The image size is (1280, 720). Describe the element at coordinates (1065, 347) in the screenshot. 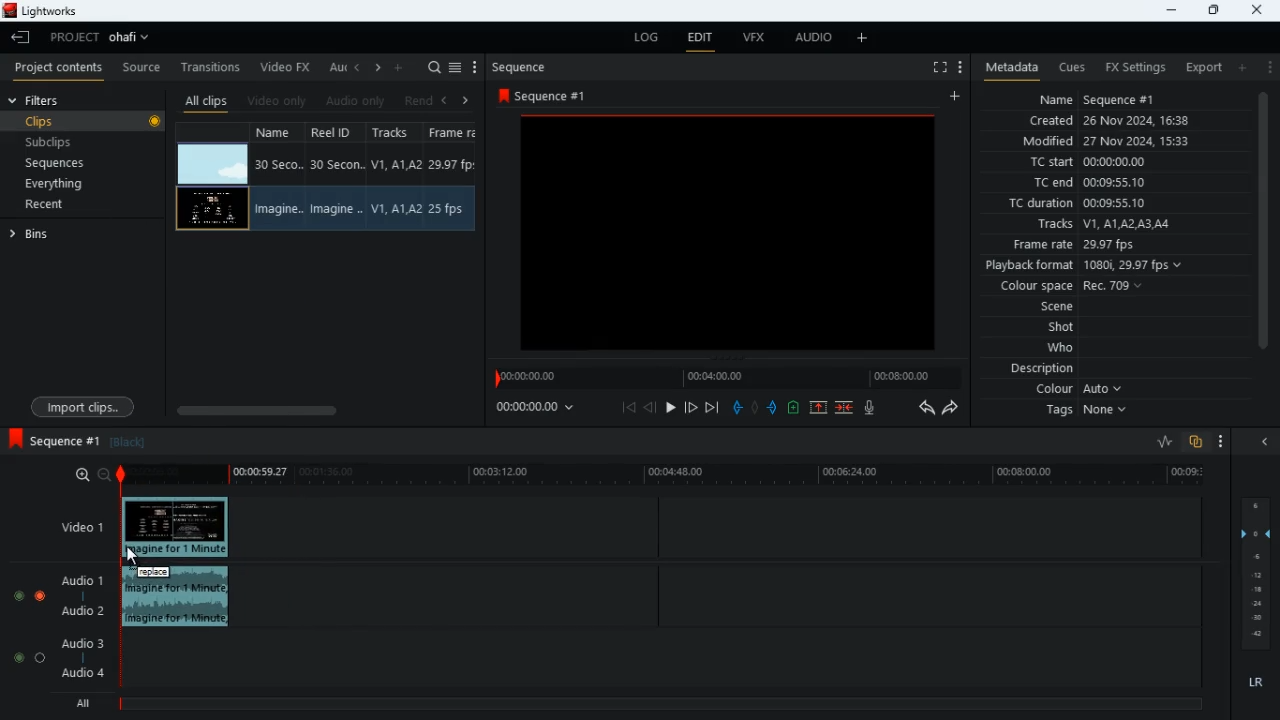

I see `who` at that location.